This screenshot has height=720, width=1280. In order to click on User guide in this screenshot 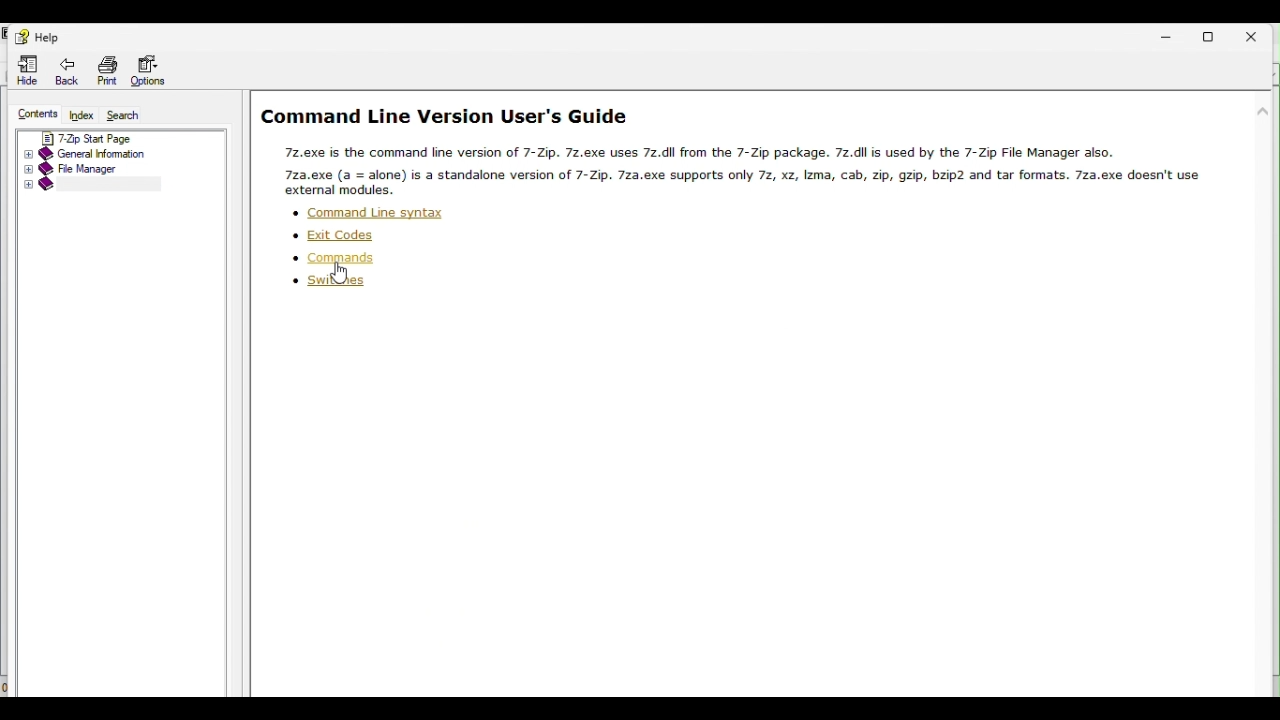, I will do `click(747, 168)`.